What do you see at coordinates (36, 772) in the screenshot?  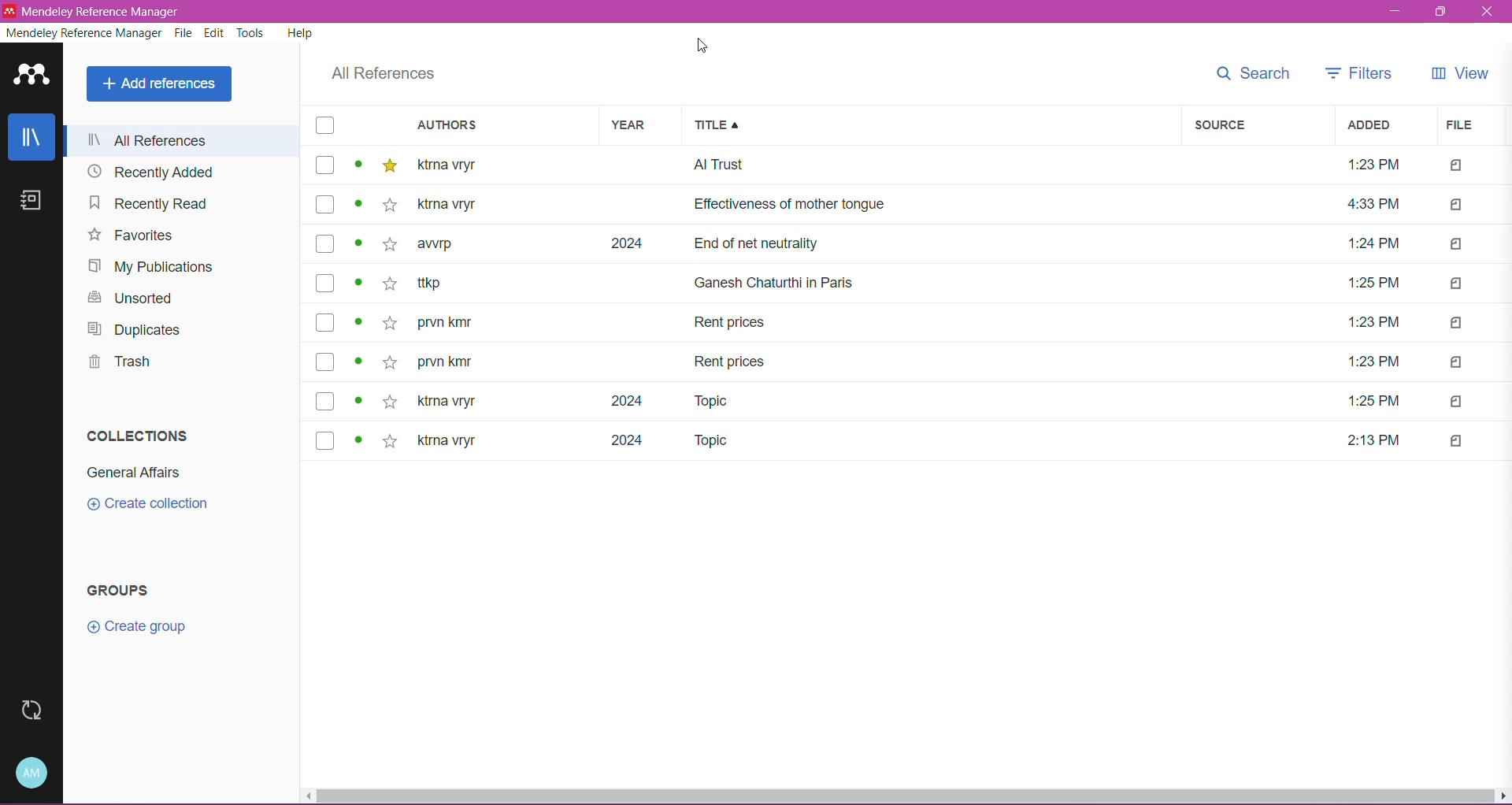 I see `Account and Help` at bounding box center [36, 772].